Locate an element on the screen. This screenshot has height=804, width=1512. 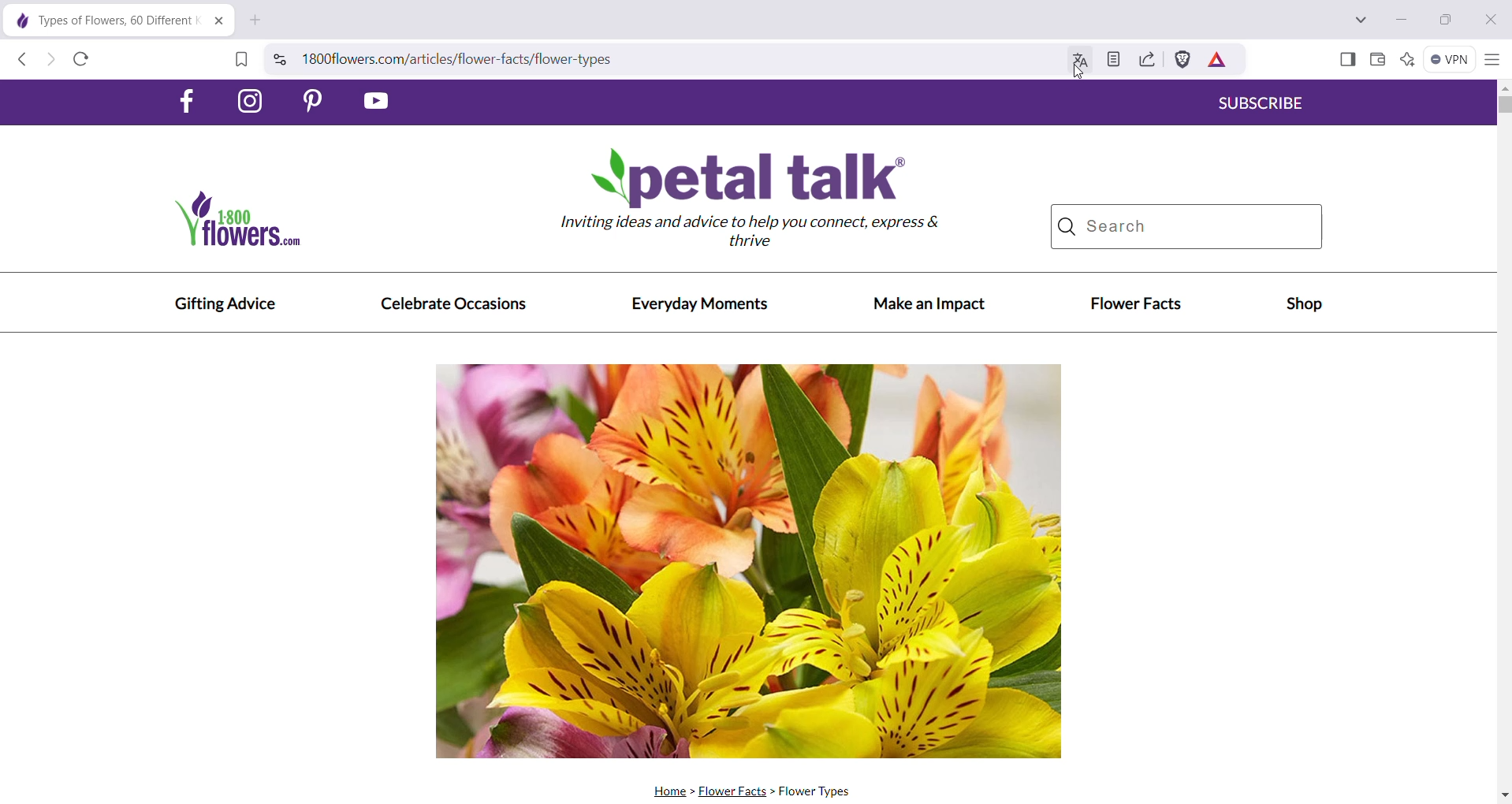
Close Tab is located at coordinates (216, 20).